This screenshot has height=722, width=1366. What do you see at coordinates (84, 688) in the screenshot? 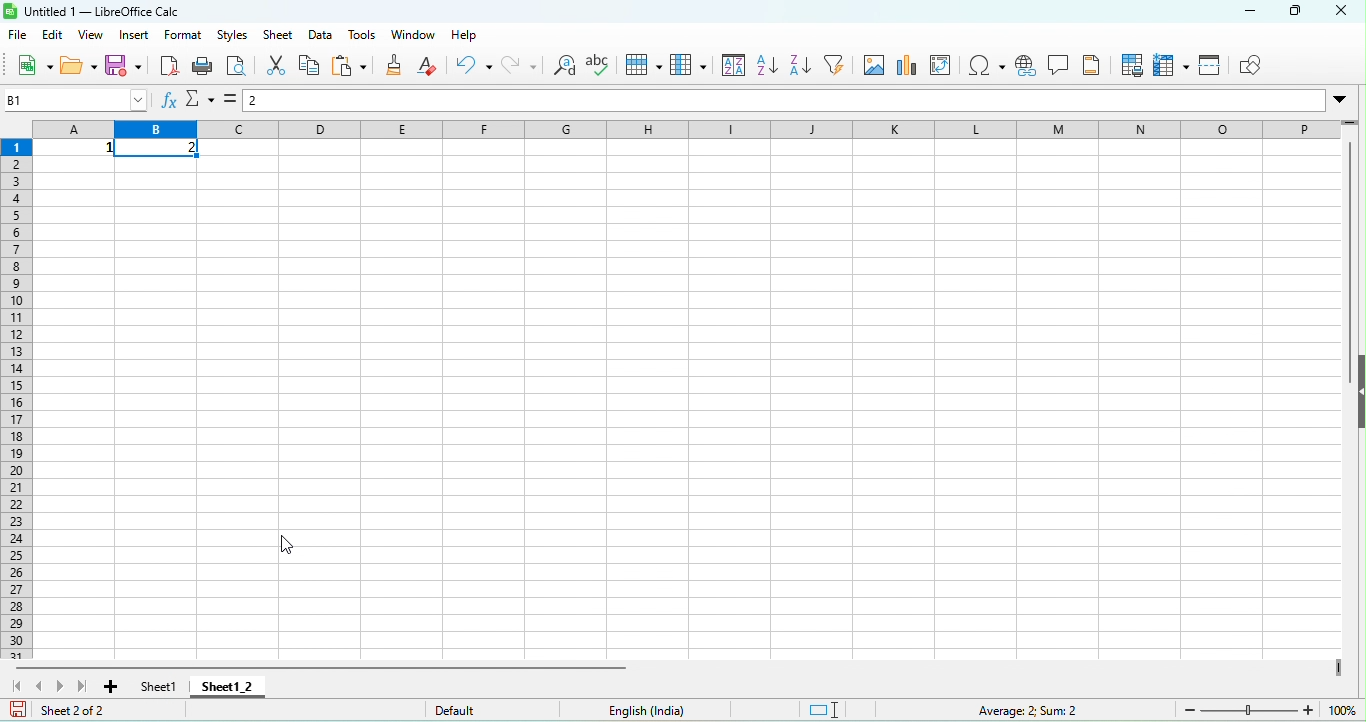
I see `scroll to last sheet` at bounding box center [84, 688].